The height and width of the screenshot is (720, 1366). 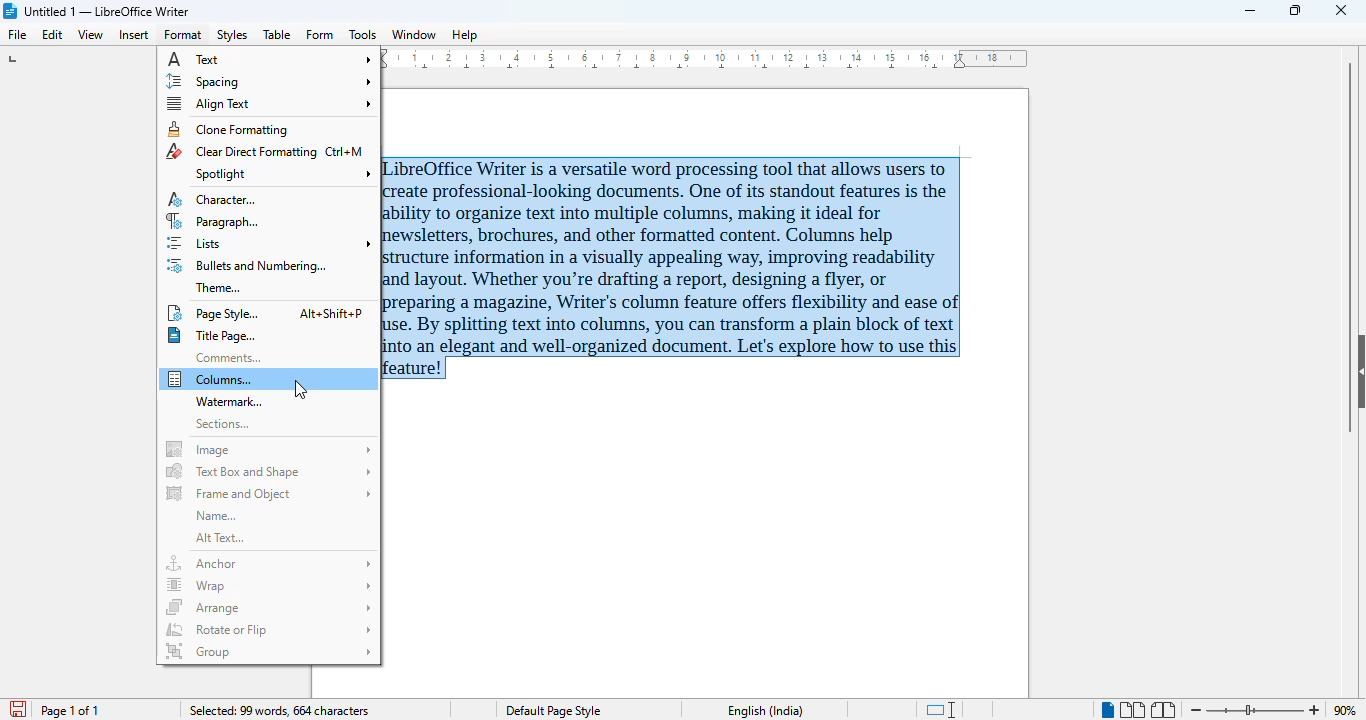 I want to click on vertical scroll bar, so click(x=1350, y=246).